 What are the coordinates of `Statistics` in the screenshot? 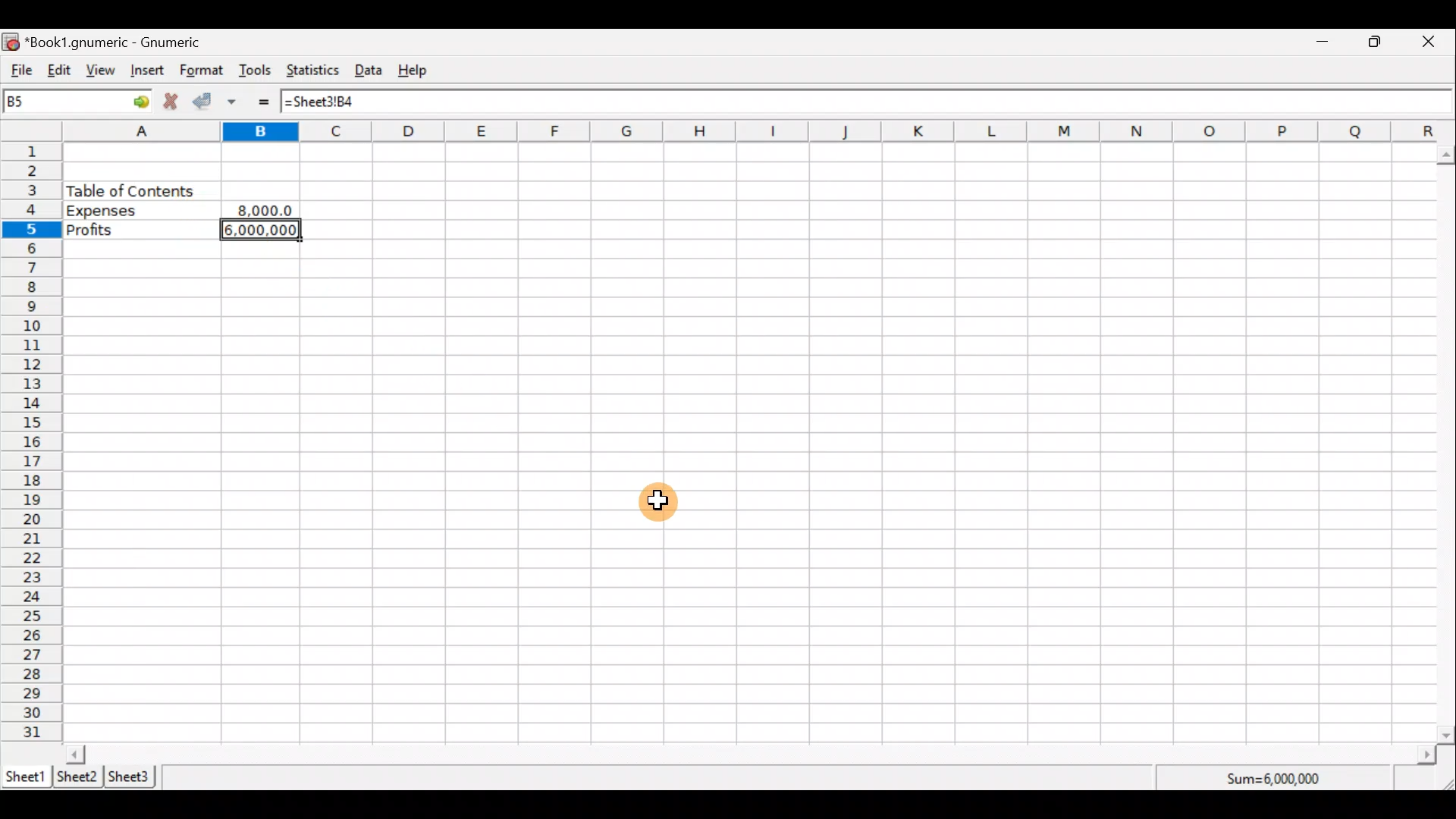 It's located at (315, 72).